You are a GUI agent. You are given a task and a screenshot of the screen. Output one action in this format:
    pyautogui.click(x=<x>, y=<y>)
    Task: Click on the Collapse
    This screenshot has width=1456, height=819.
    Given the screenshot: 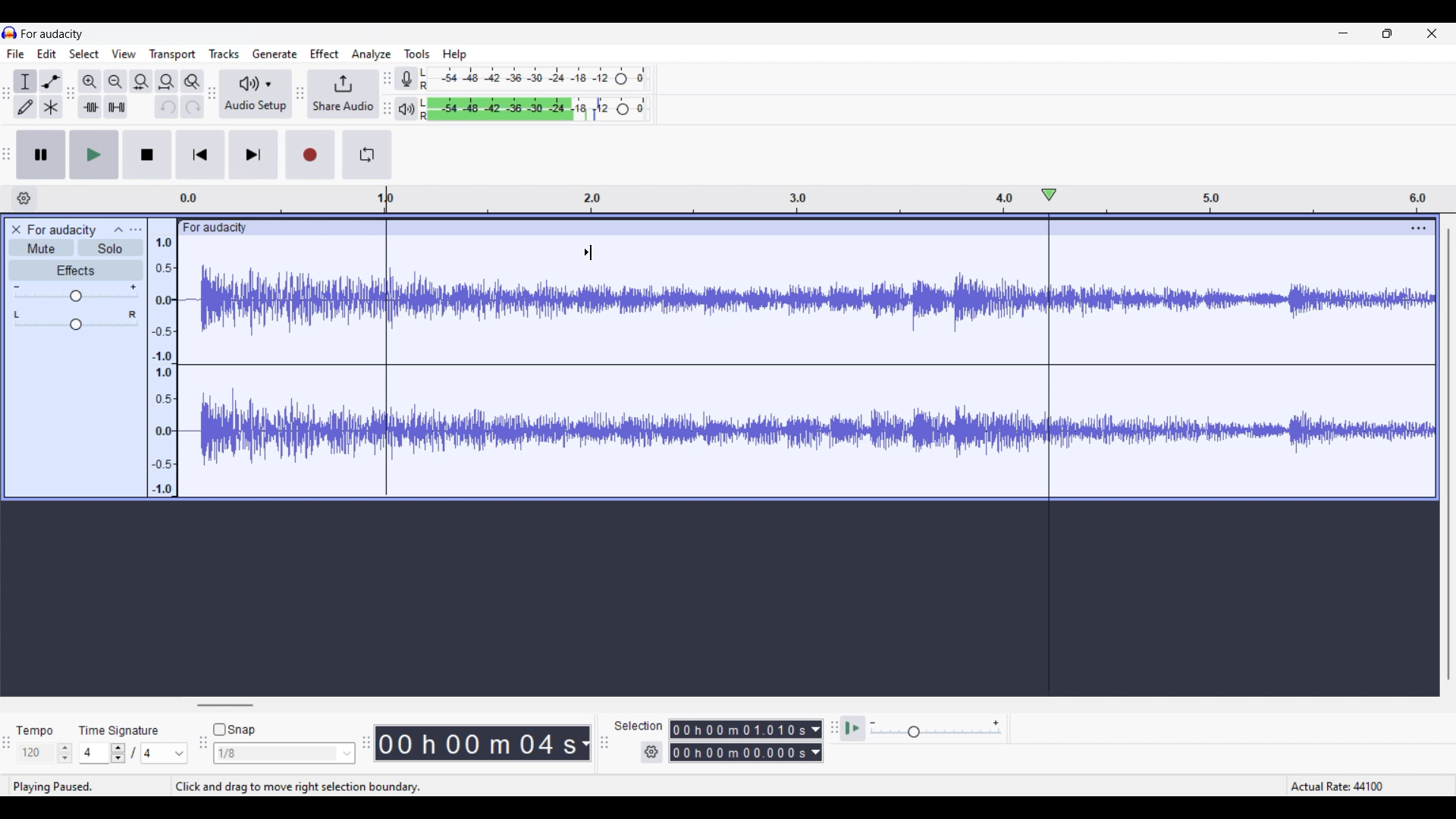 What is the action you would take?
    pyautogui.click(x=118, y=229)
    